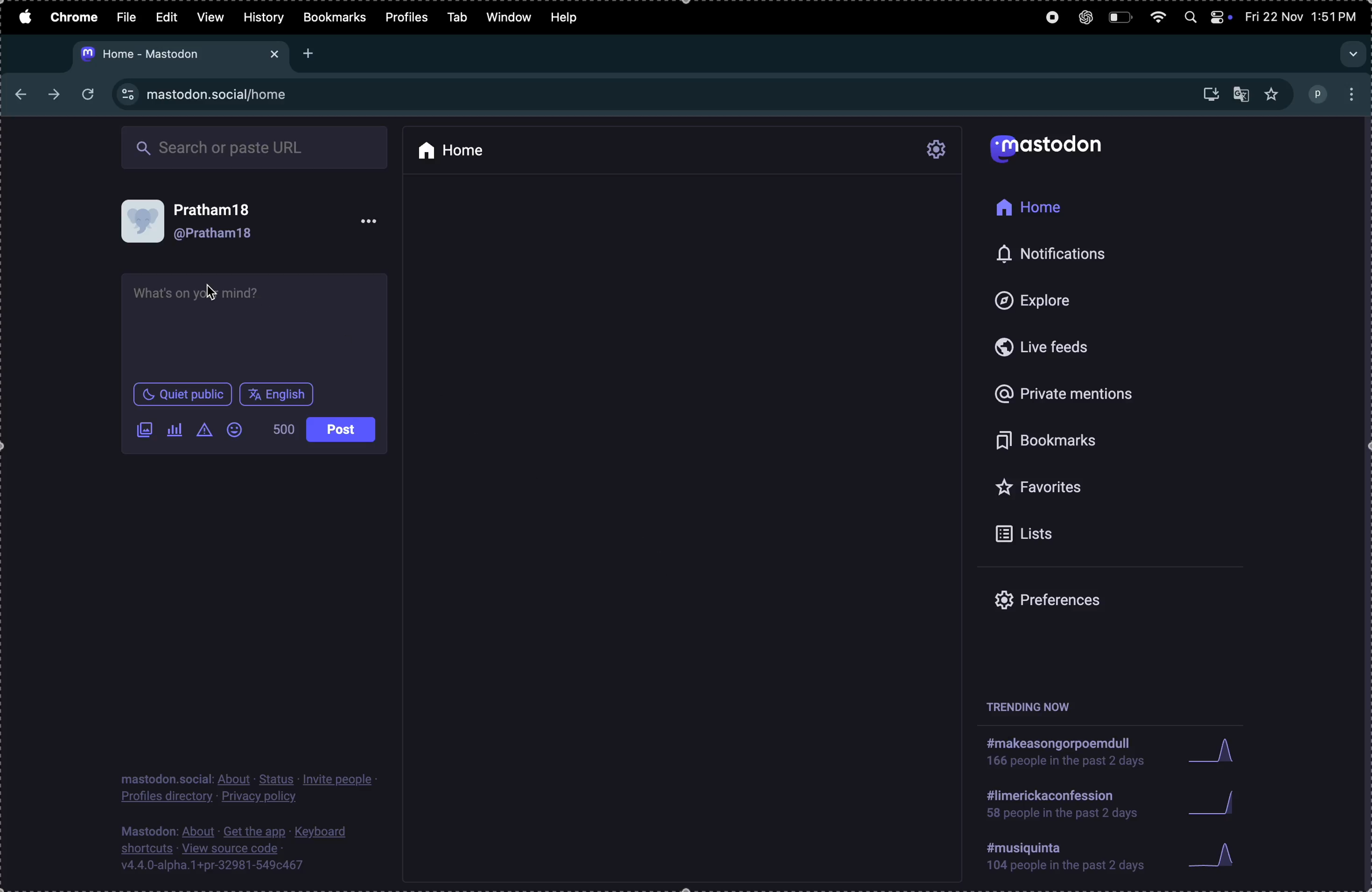  What do you see at coordinates (251, 145) in the screenshot?
I see `search box` at bounding box center [251, 145].